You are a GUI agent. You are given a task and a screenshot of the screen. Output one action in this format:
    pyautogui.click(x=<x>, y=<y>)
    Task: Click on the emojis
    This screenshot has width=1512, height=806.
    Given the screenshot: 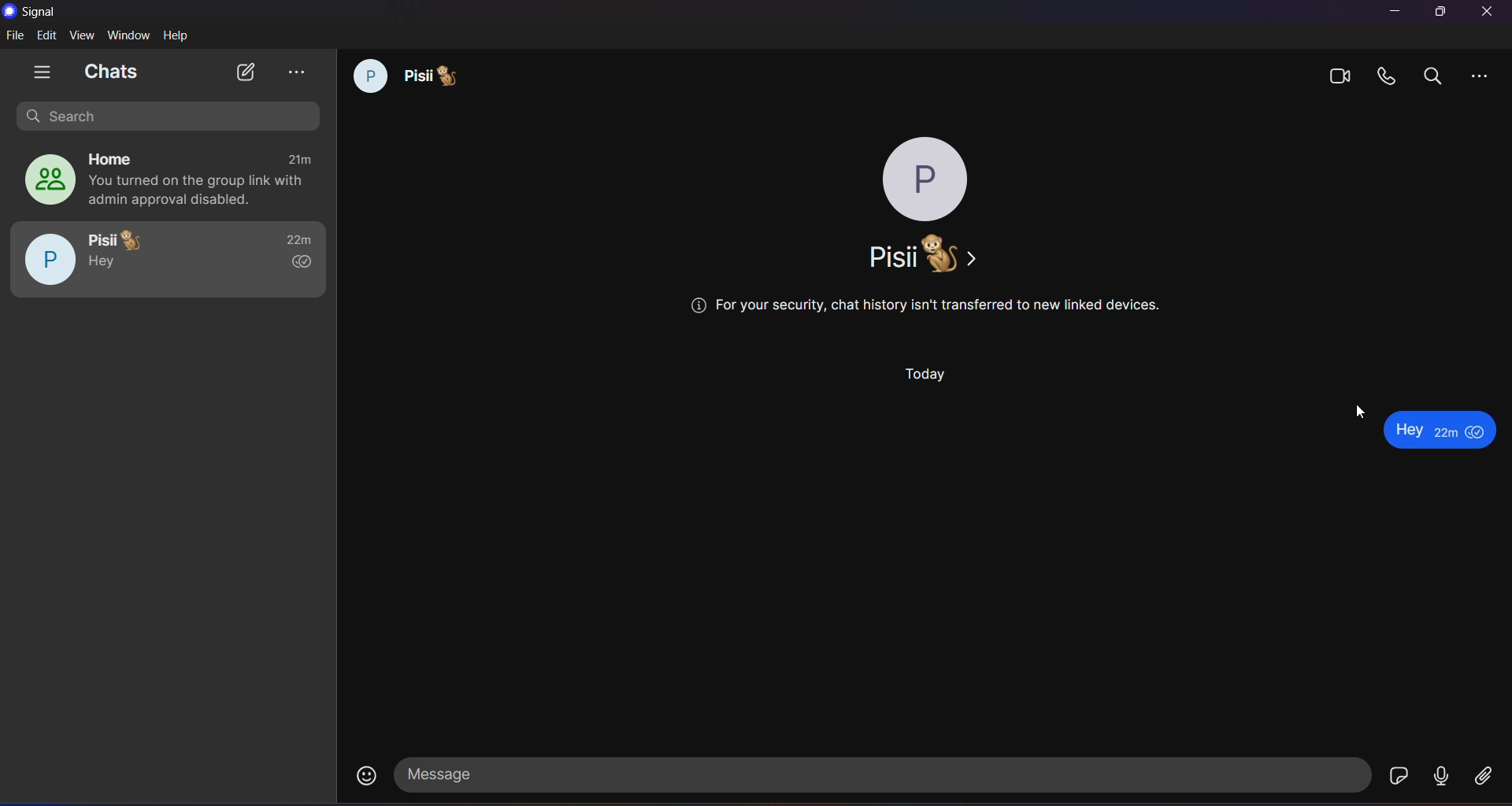 What is the action you would take?
    pyautogui.click(x=369, y=777)
    